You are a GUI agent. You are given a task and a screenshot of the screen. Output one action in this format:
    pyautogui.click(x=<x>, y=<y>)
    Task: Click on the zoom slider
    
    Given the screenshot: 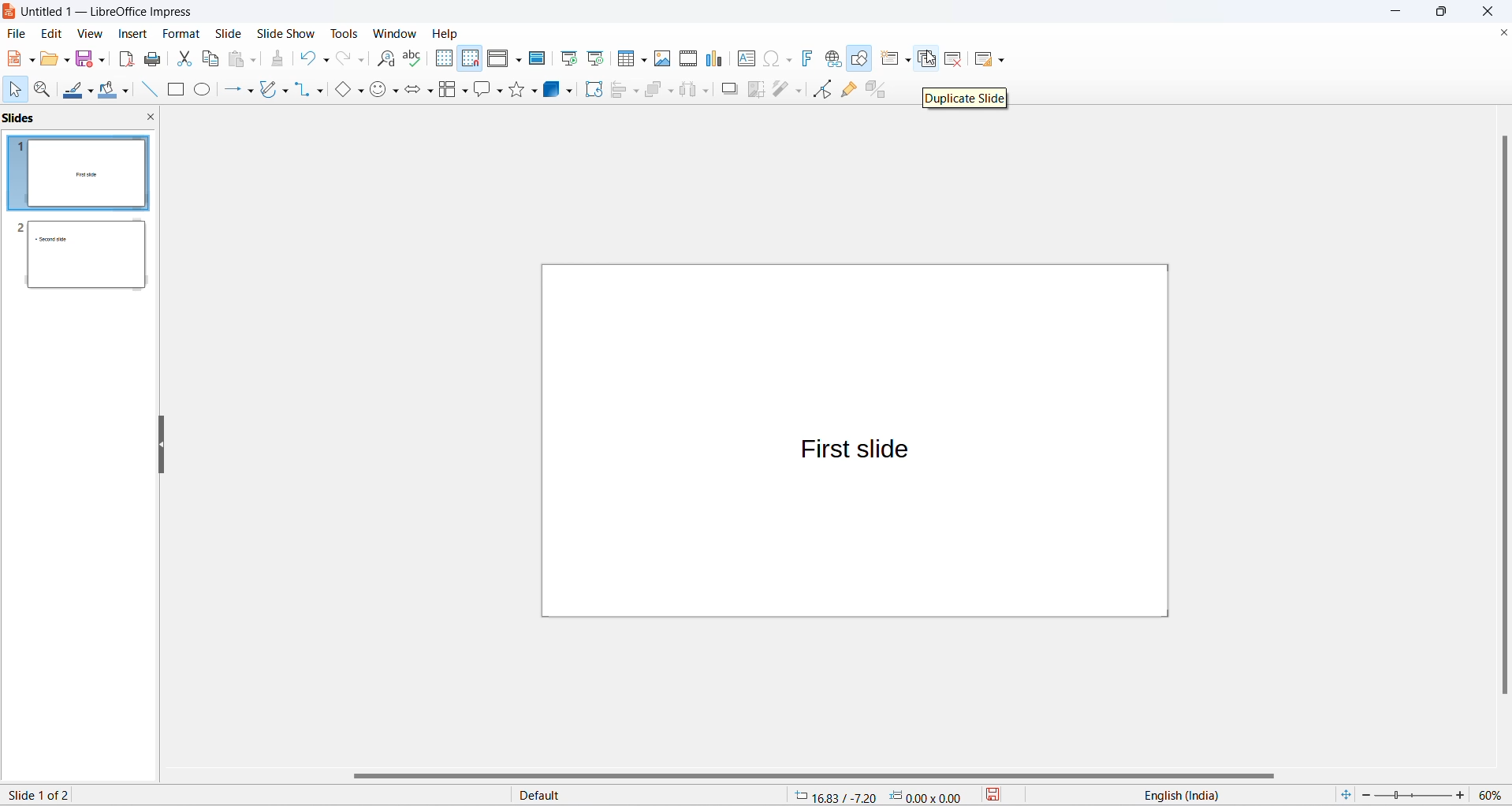 What is the action you would take?
    pyautogui.click(x=1415, y=794)
    